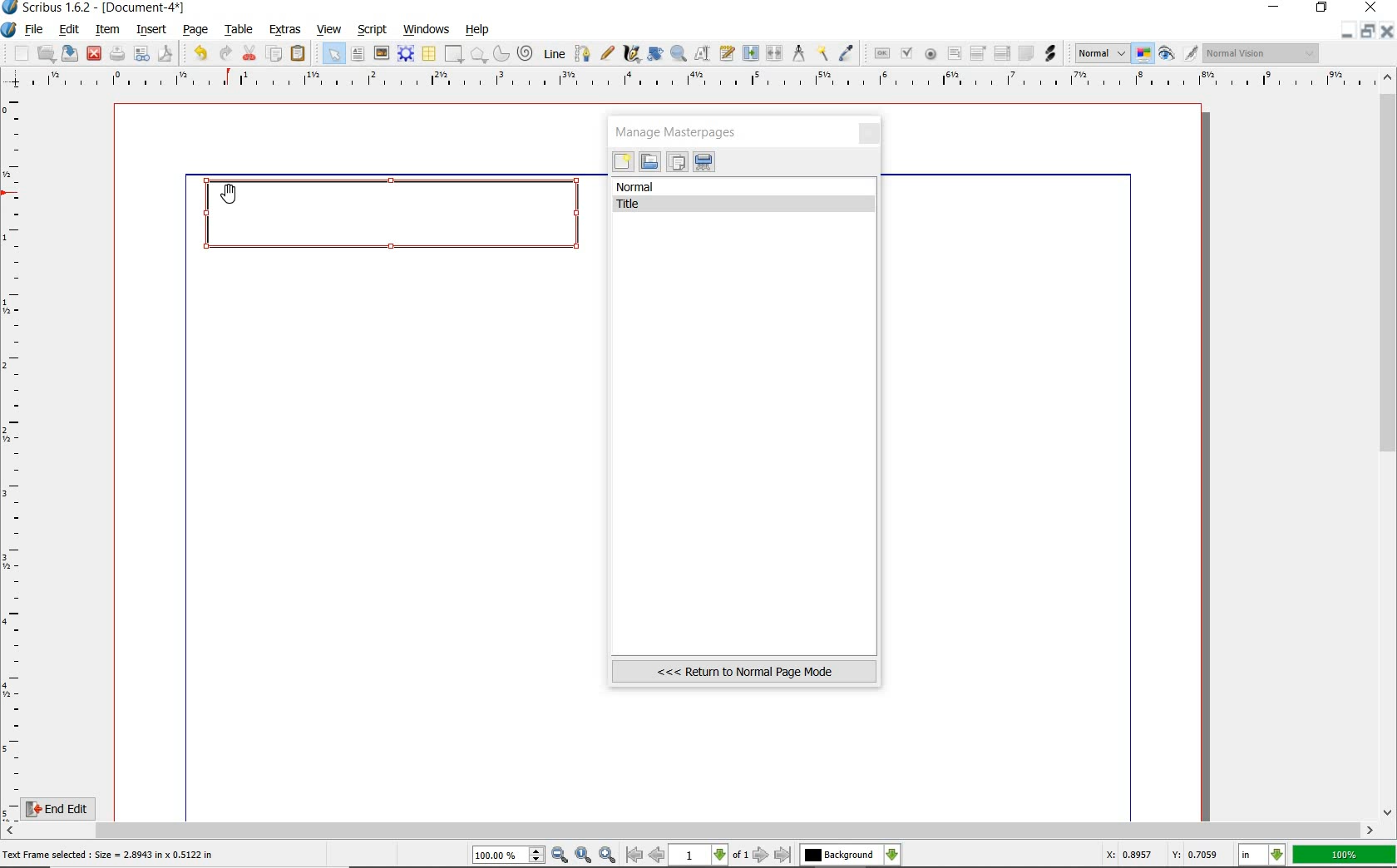 The height and width of the screenshot is (868, 1397). Describe the element at coordinates (744, 671) in the screenshot. I see `Return to normal page mode` at that location.